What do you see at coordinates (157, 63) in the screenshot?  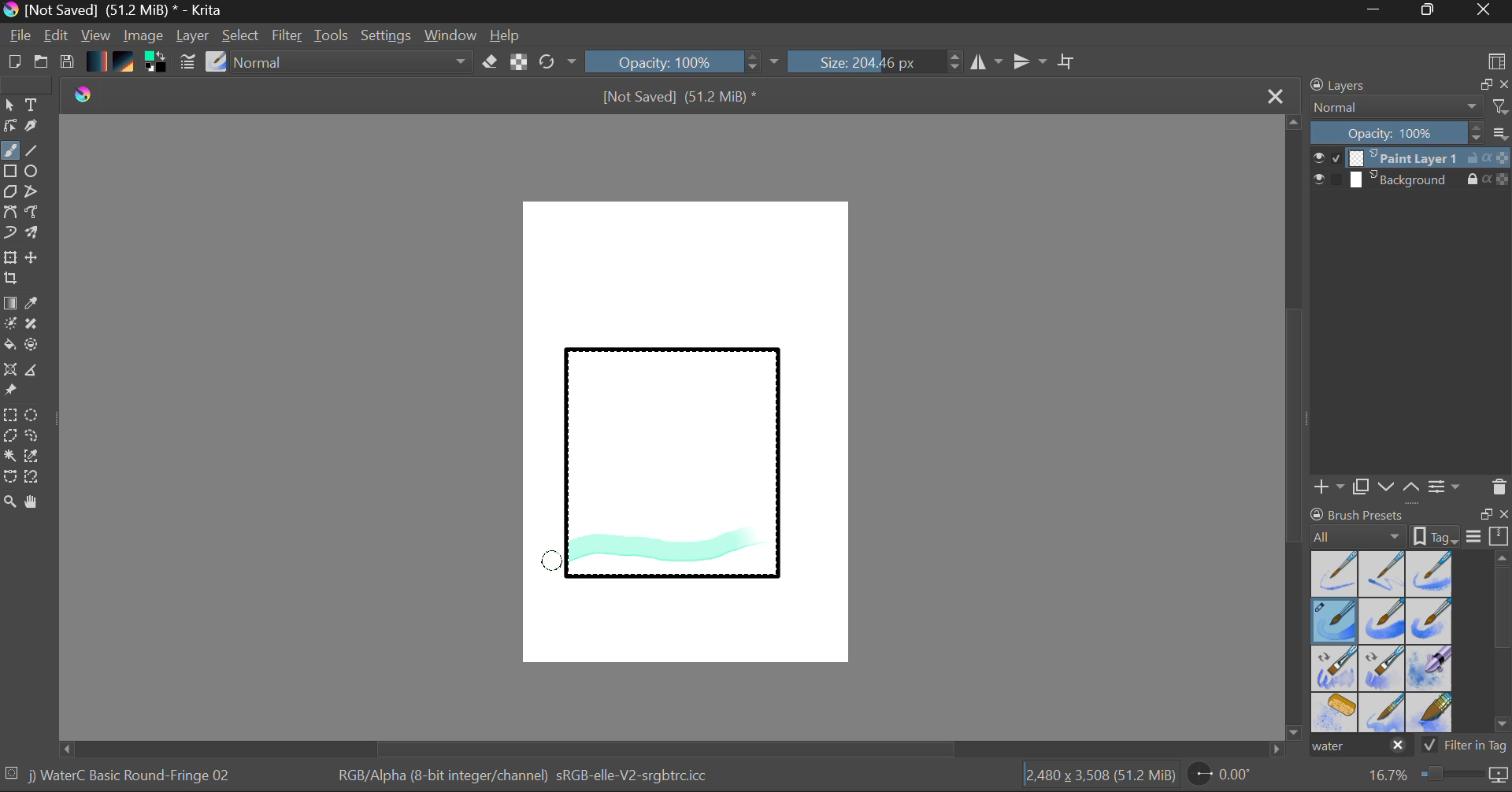 I see `Colors in use` at bounding box center [157, 63].